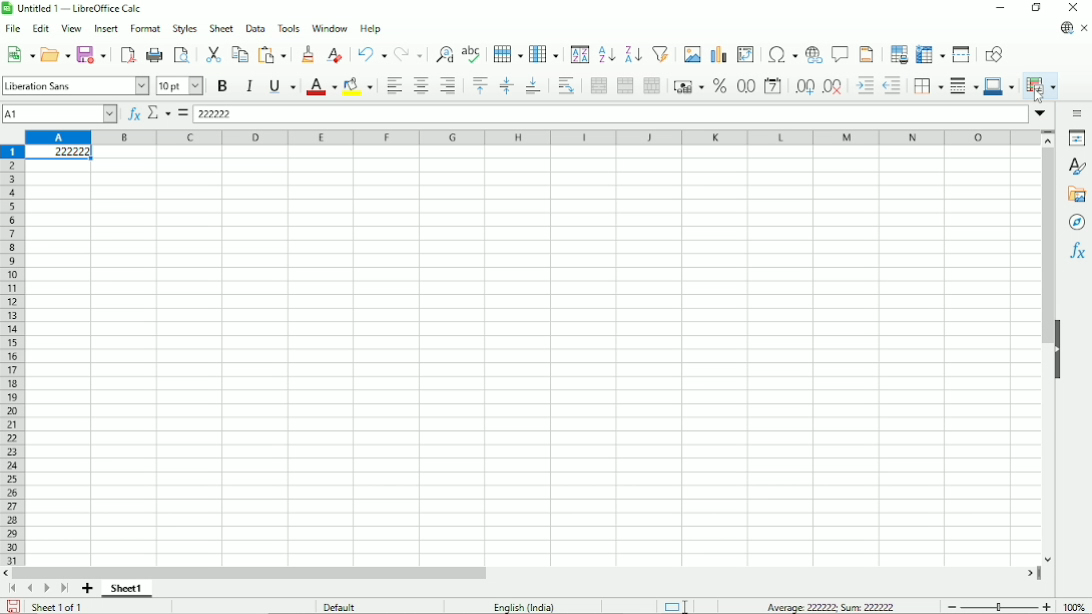 This screenshot has width=1092, height=614. I want to click on Clone formatting, so click(308, 53).